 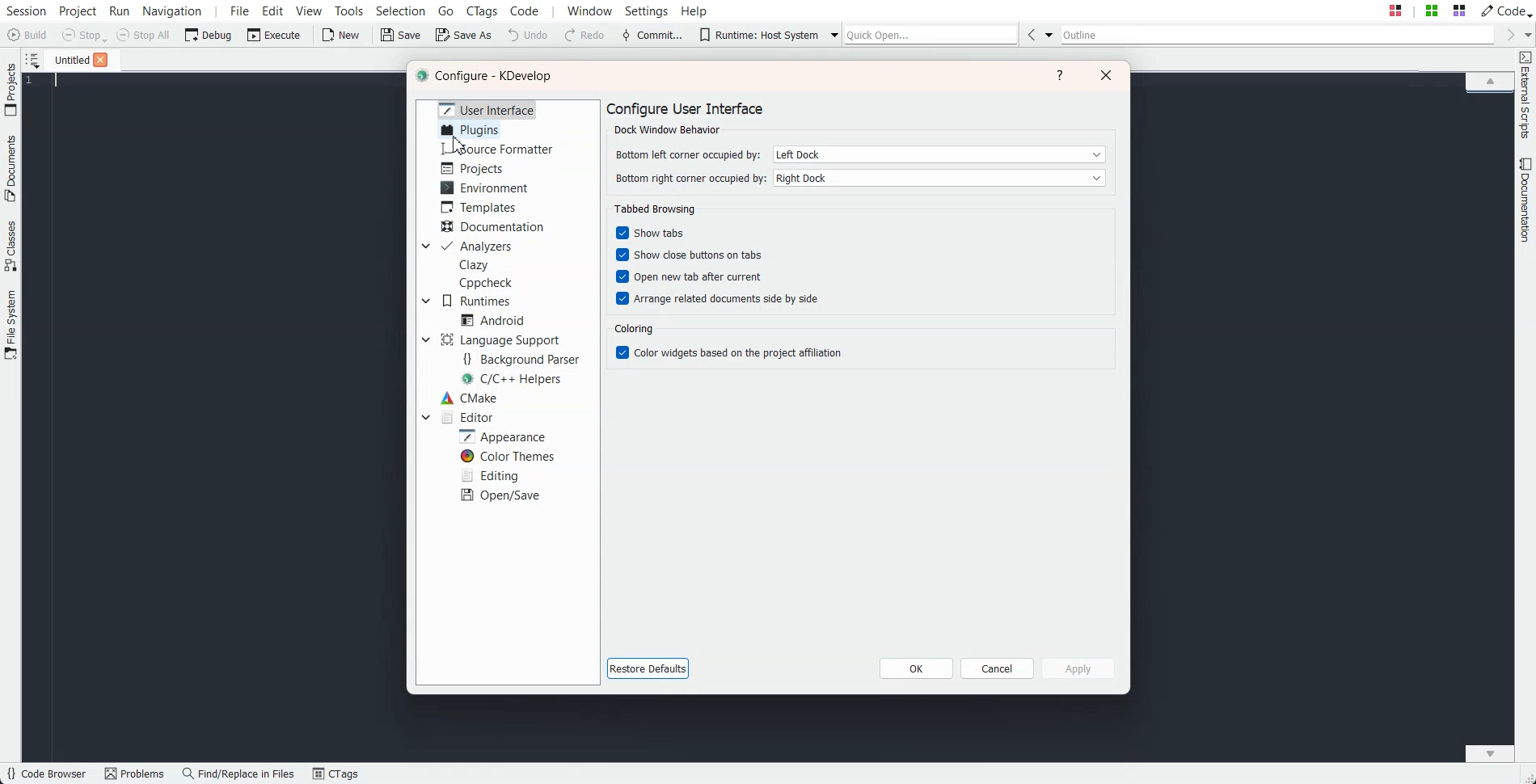 What do you see at coordinates (501, 436) in the screenshot?
I see `Appearance` at bounding box center [501, 436].